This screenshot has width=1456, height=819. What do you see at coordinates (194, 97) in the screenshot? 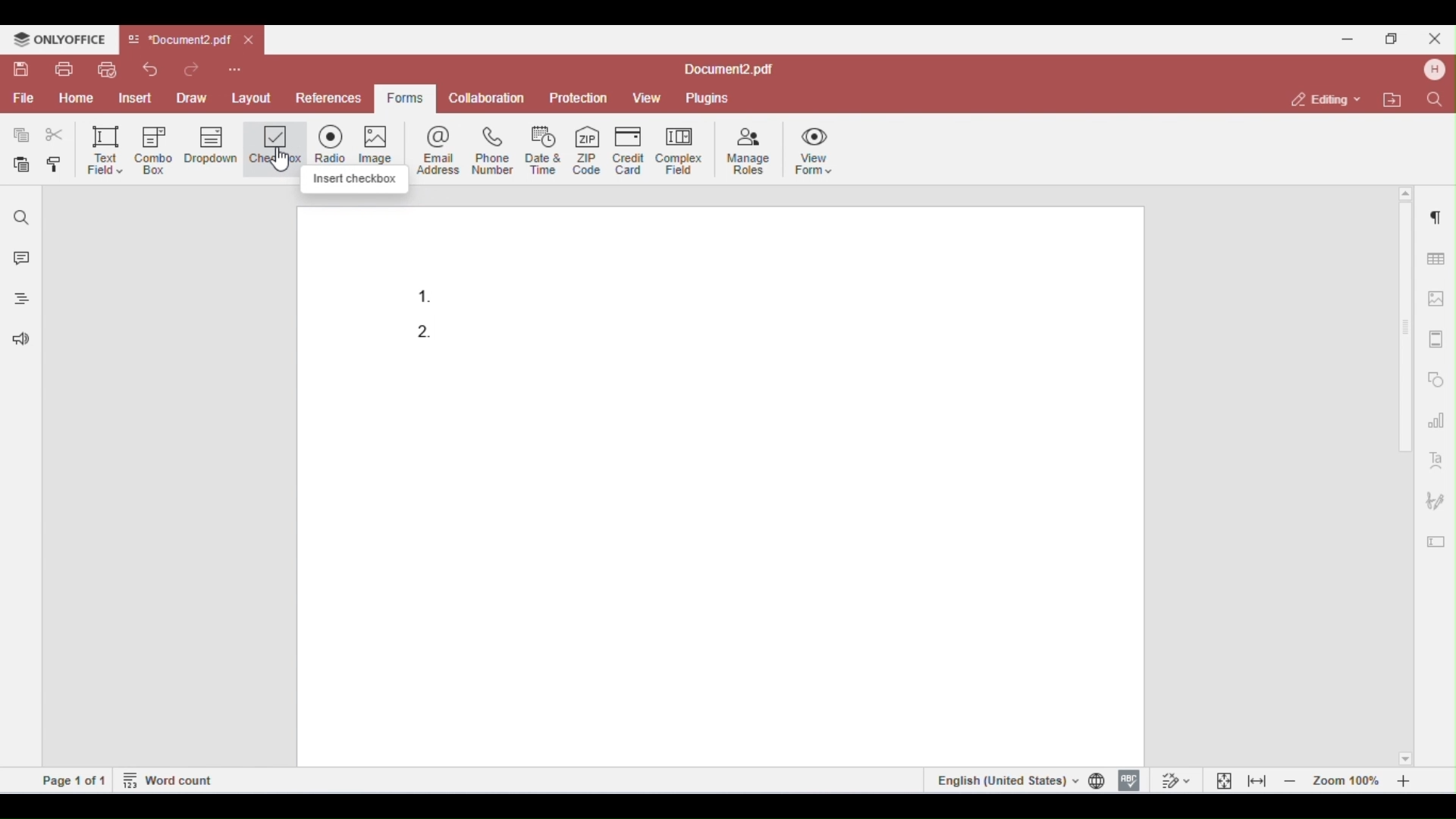
I see `draw` at bounding box center [194, 97].